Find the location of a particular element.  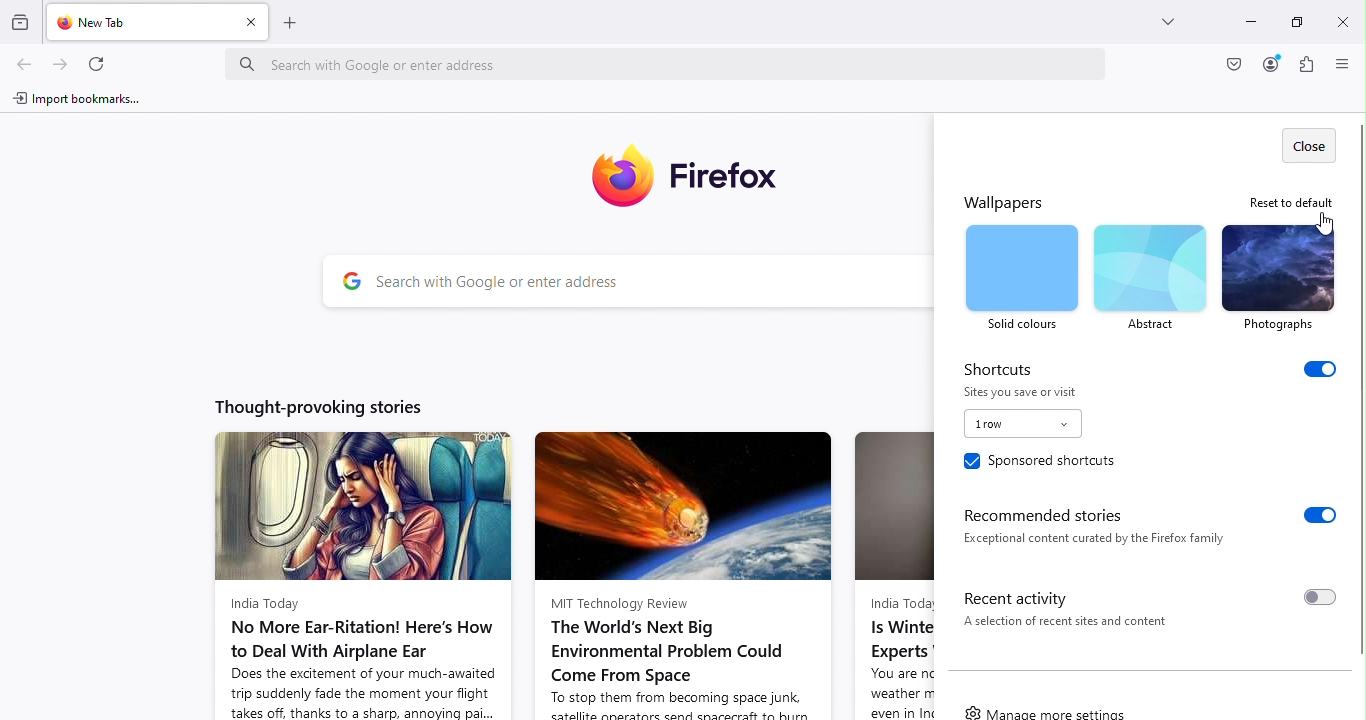

Go forward one page is located at coordinates (62, 59).